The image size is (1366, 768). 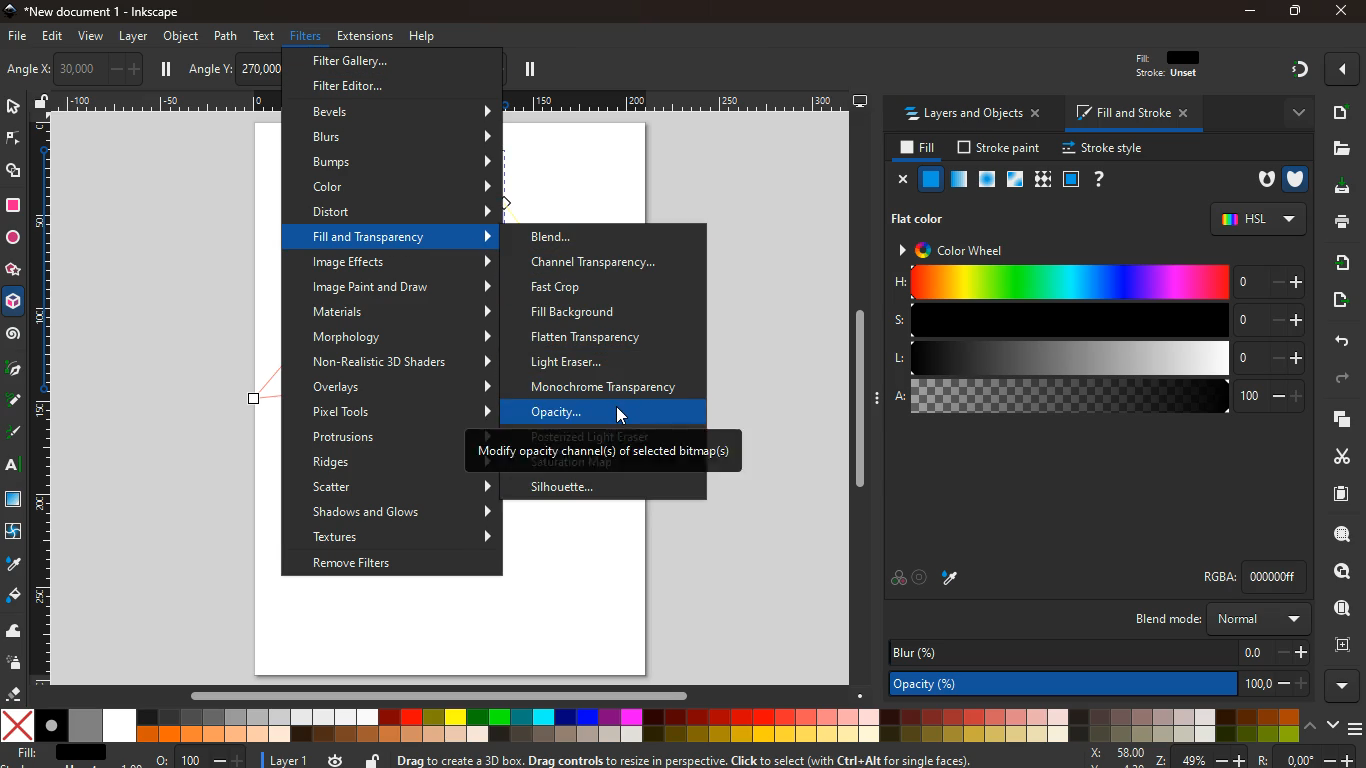 I want to click on close, so click(x=1339, y=12).